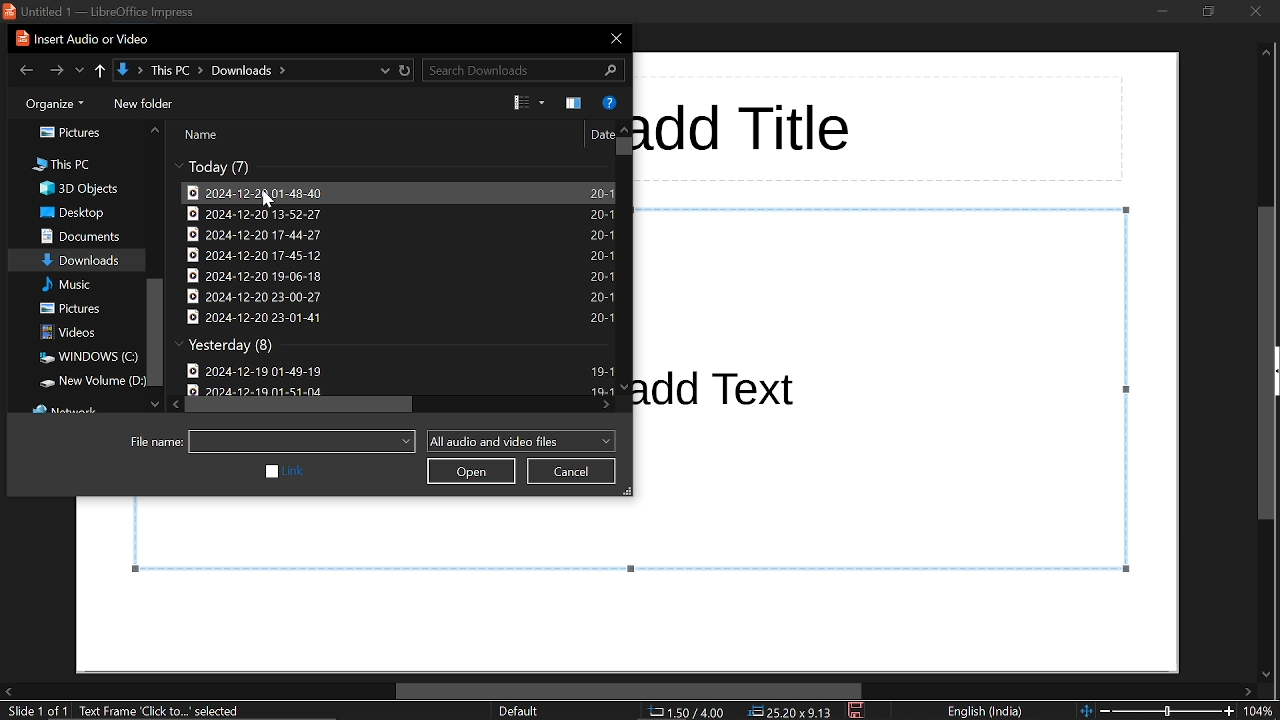  I want to click on link, so click(283, 473).